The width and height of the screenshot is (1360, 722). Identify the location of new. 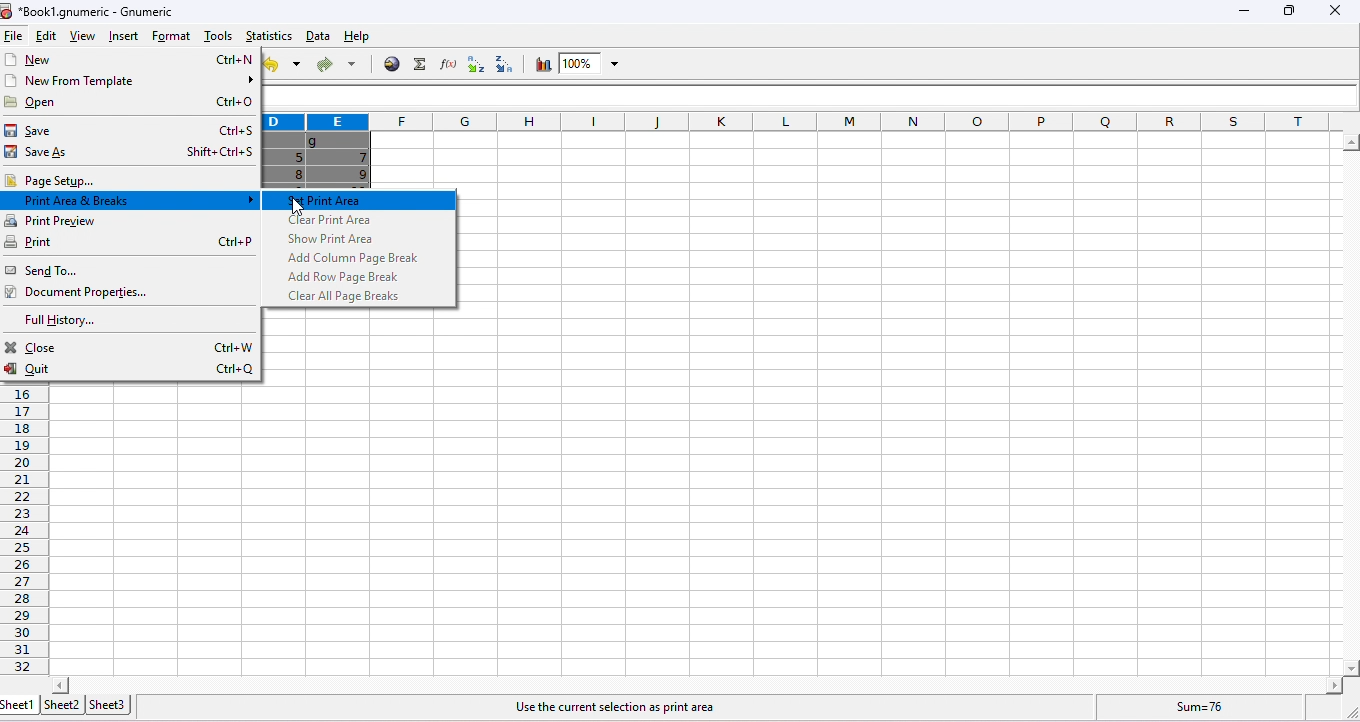
(130, 59).